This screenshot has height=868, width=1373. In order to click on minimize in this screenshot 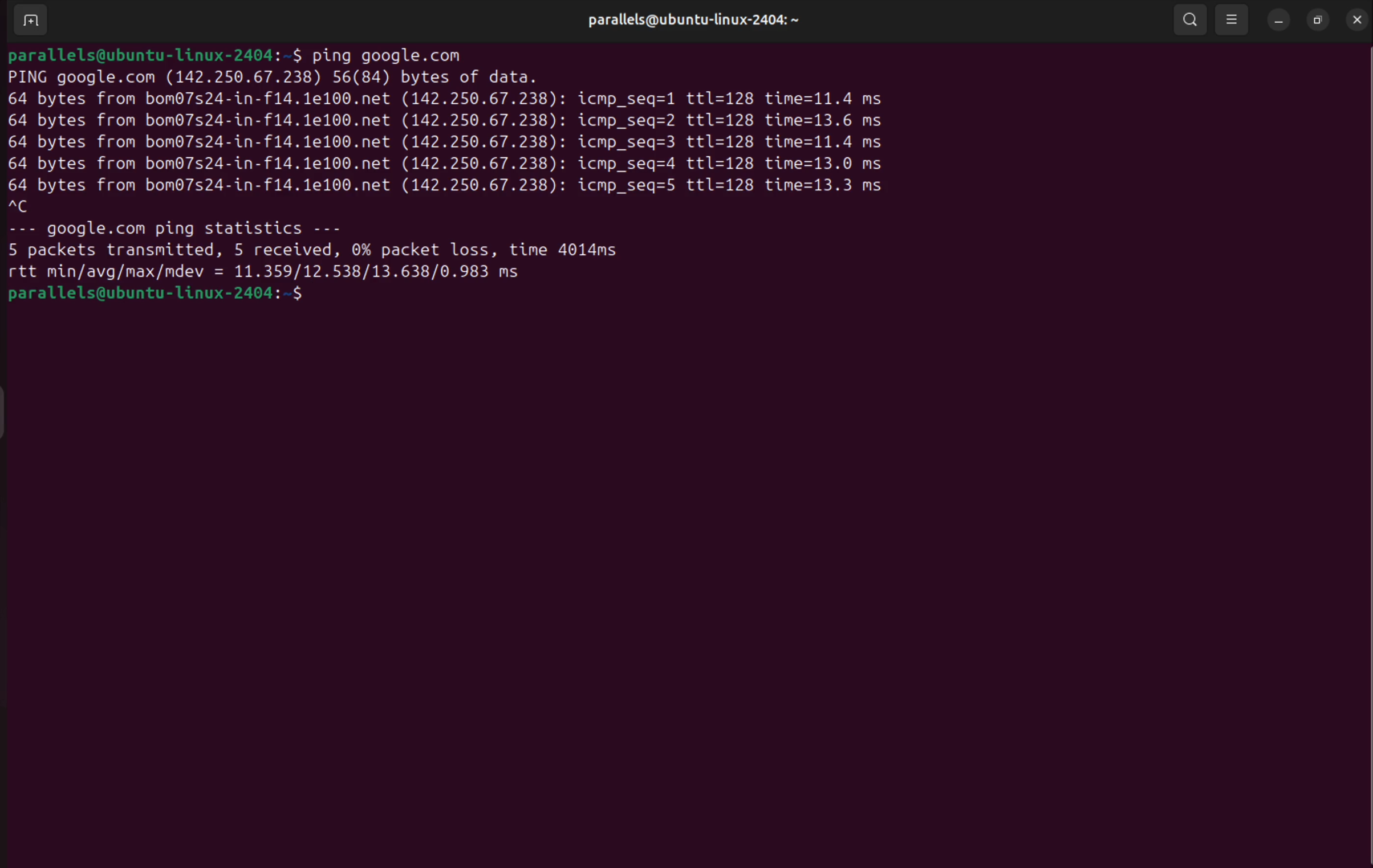, I will do `click(1278, 21)`.